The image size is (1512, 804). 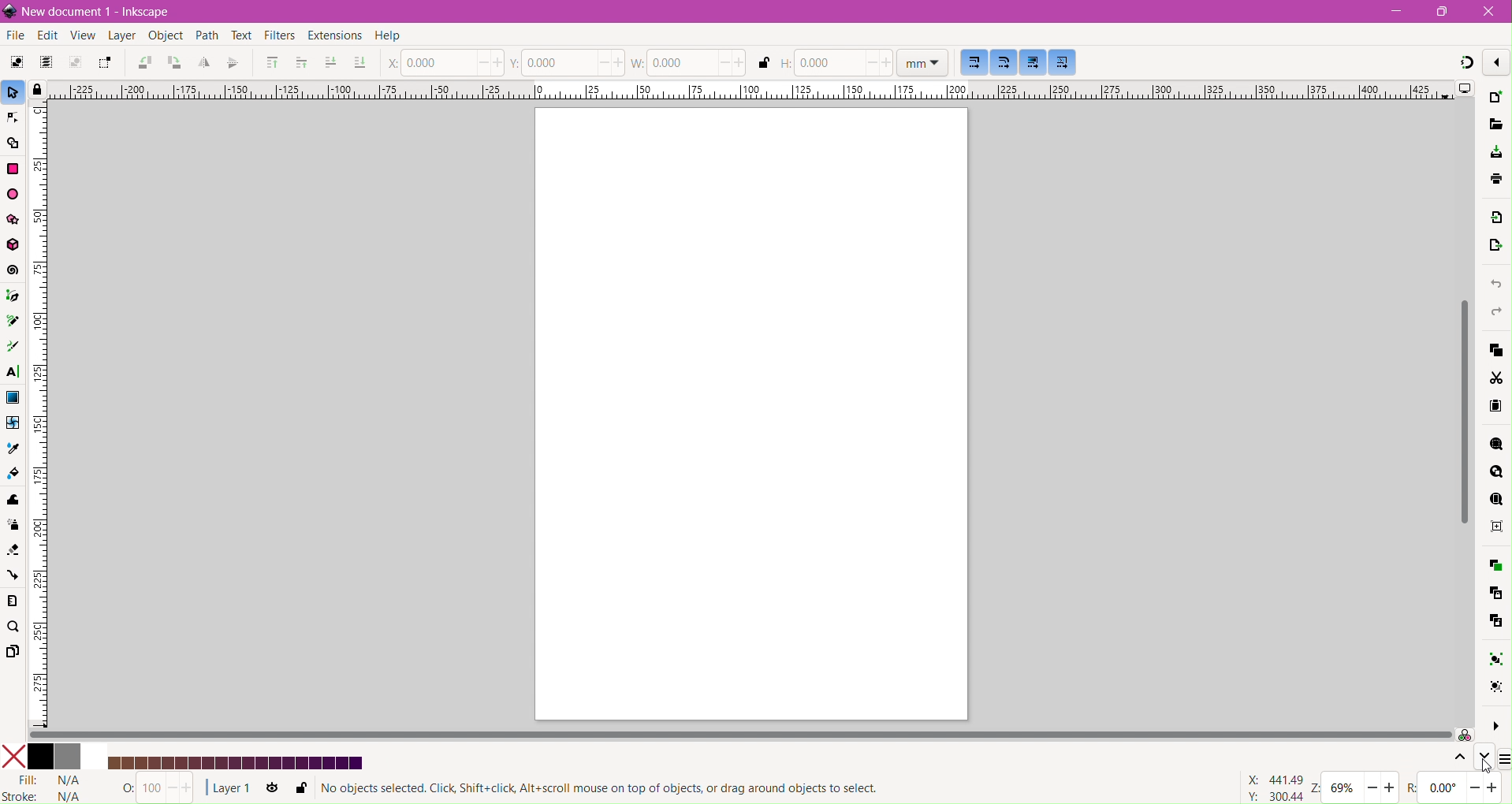 I want to click on Extensions, so click(x=333, y=36).